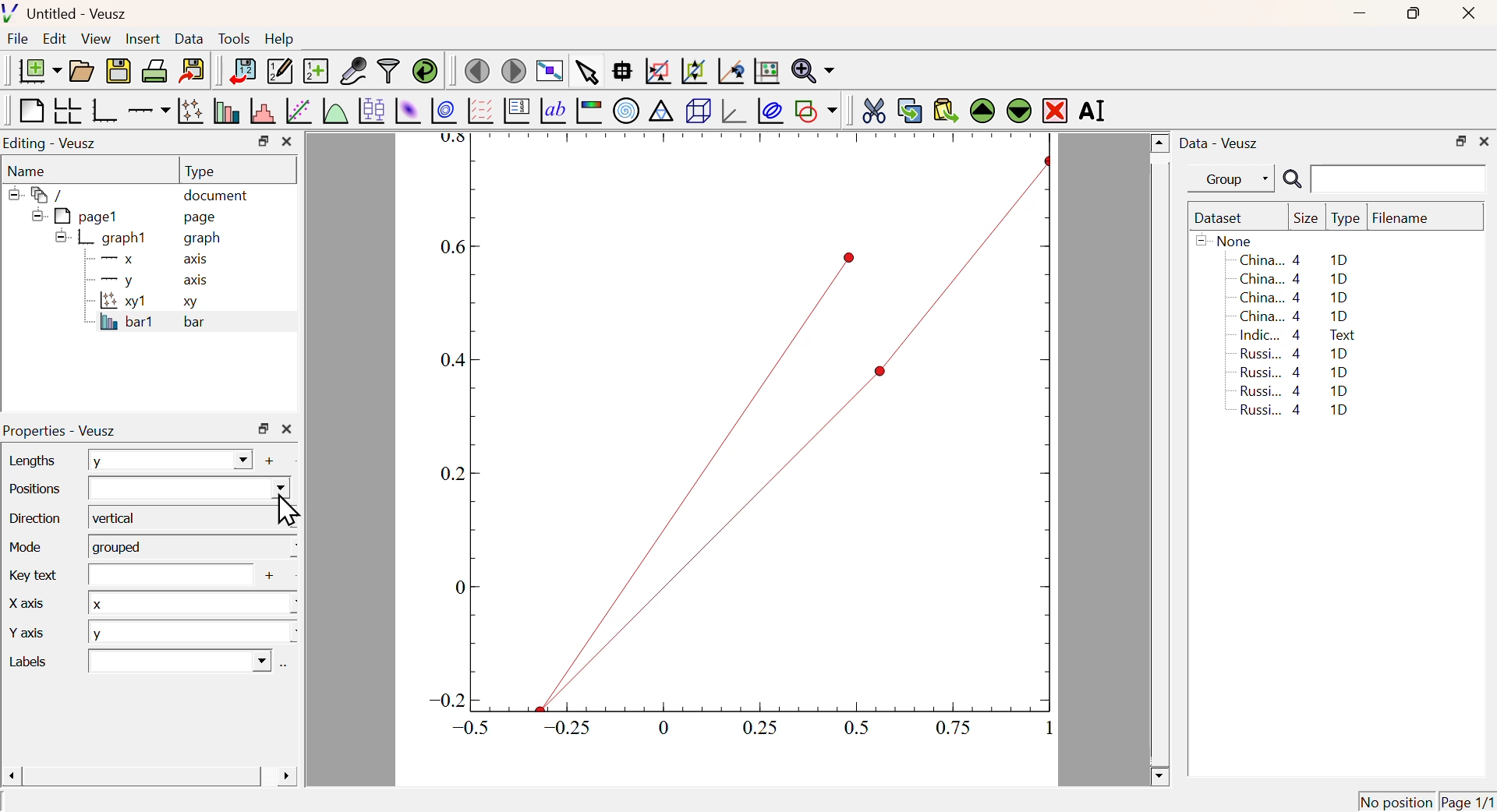 The image size is (1497, 812). What do you see at coordinates (1226, 240) in the screenshot?
I see `None` at bounding box center [1226, 240].